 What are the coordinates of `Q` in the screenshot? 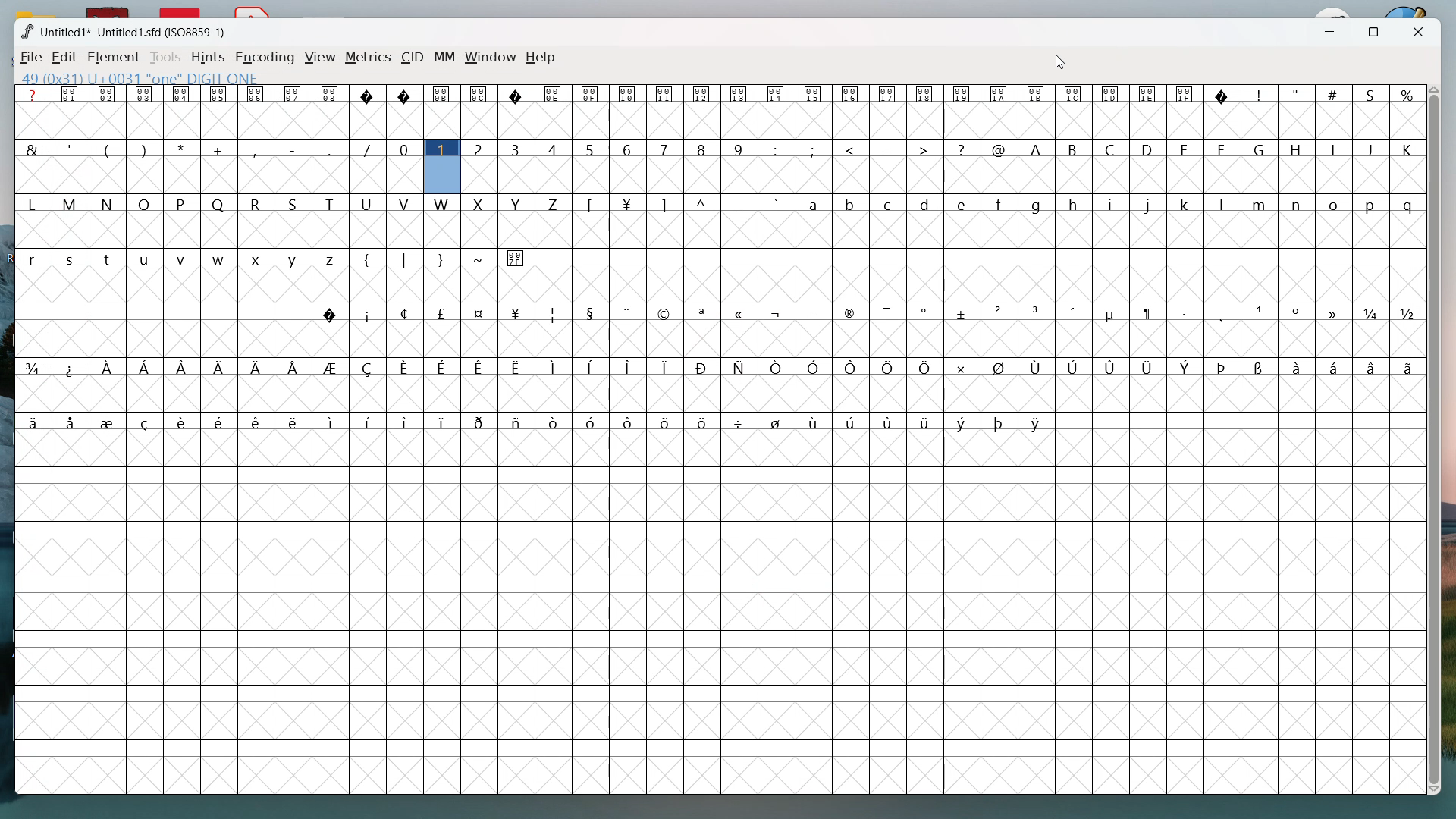 It's located at (221, 203).